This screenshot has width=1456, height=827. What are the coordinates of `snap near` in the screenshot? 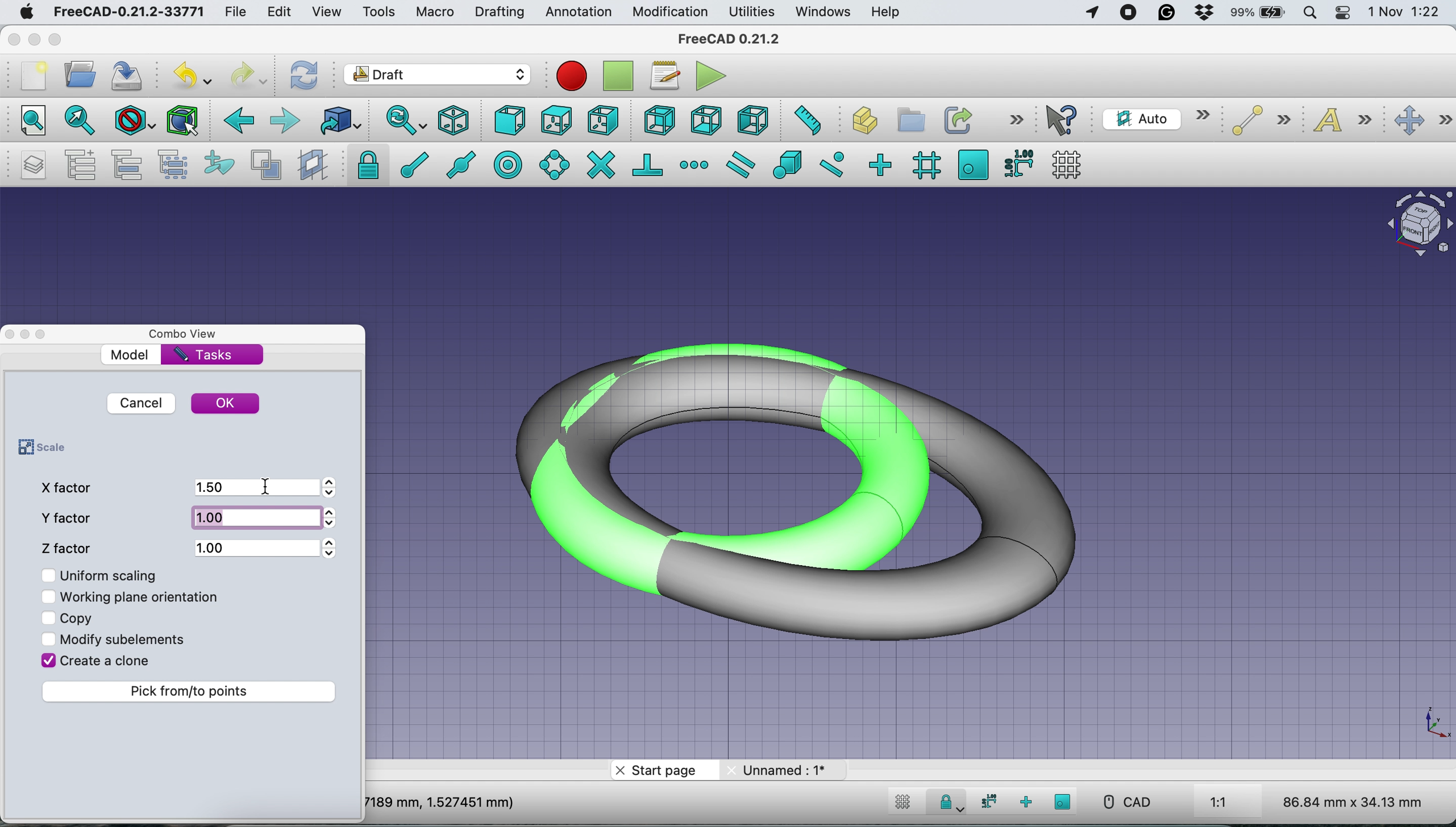 It's located at (833, 164).